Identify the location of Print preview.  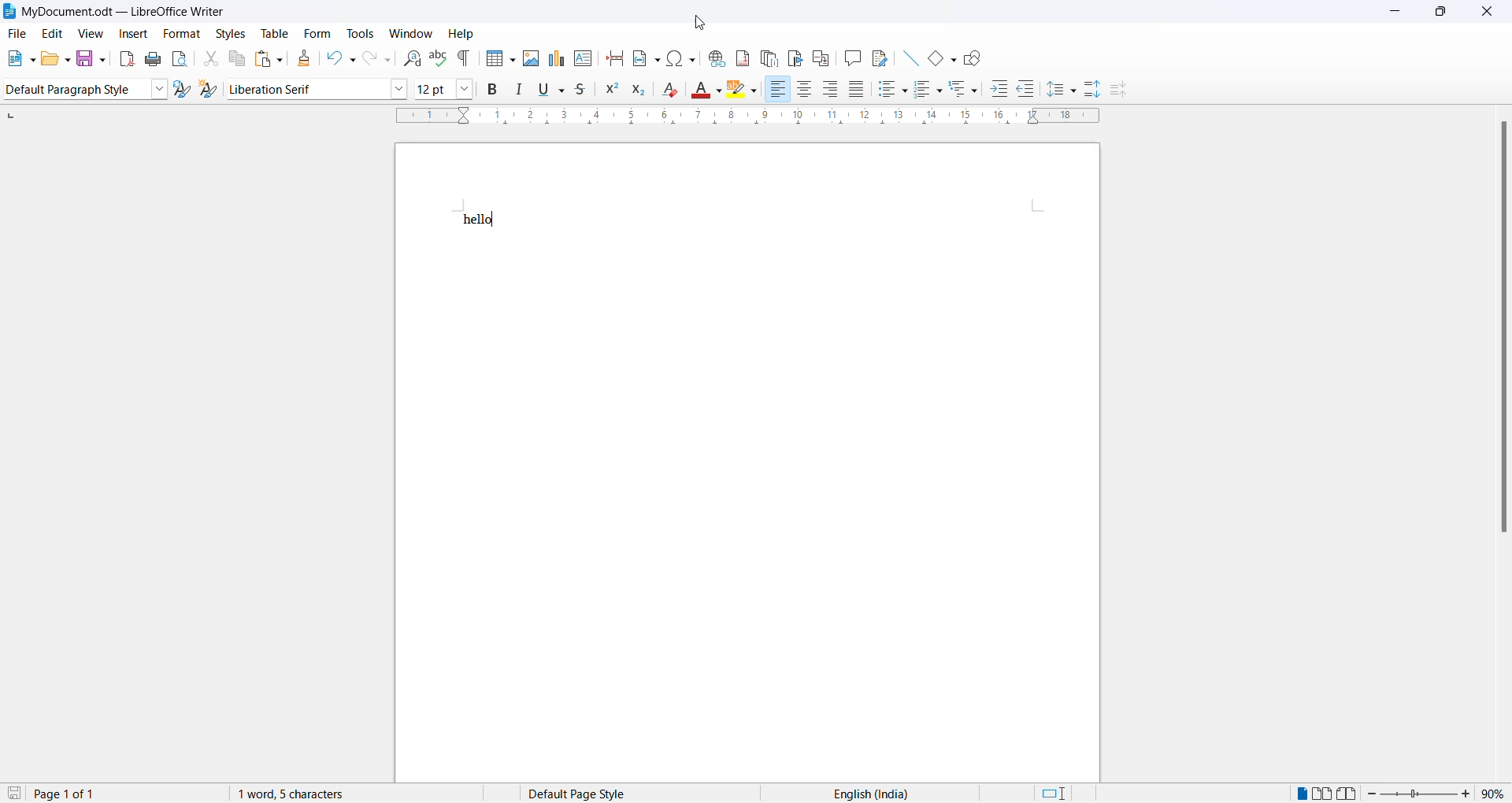
(180, 60).